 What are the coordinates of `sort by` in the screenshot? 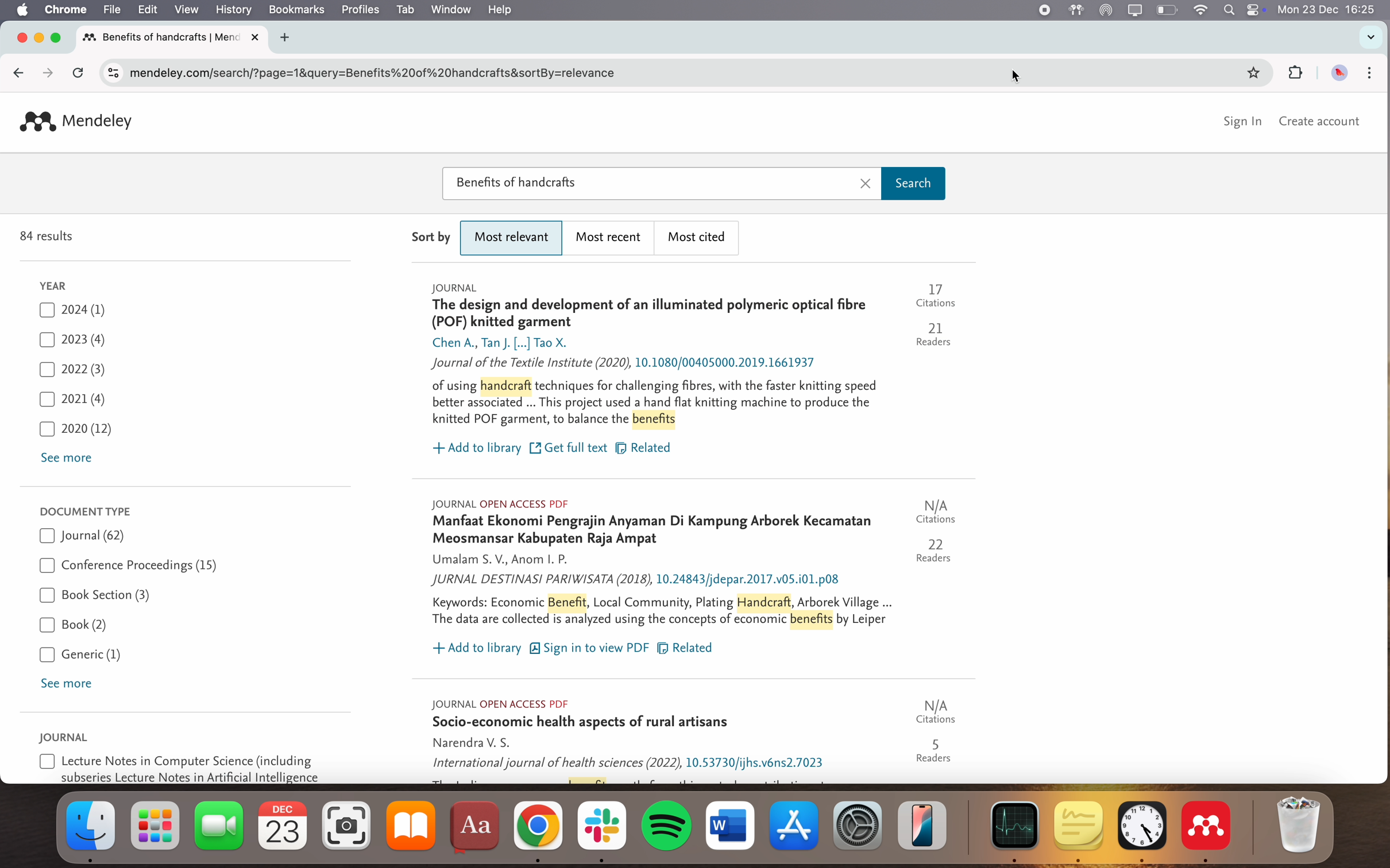 It's located at (433, 237).